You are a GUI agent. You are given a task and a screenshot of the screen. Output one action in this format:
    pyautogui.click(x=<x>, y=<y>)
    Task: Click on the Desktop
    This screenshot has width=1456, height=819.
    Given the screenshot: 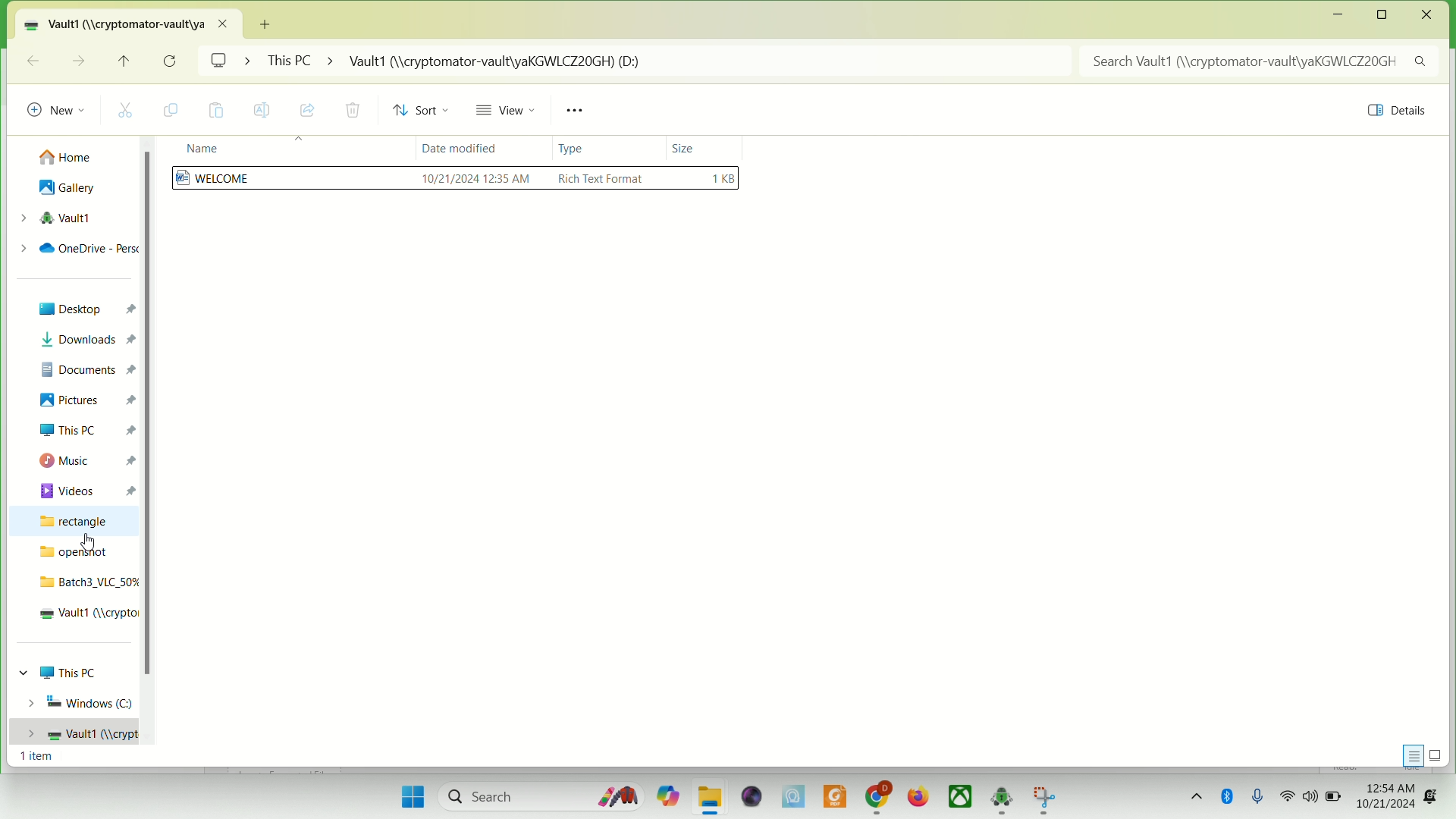 What is the action you would take?
    pyautogui.click(x=83, y=309)
    